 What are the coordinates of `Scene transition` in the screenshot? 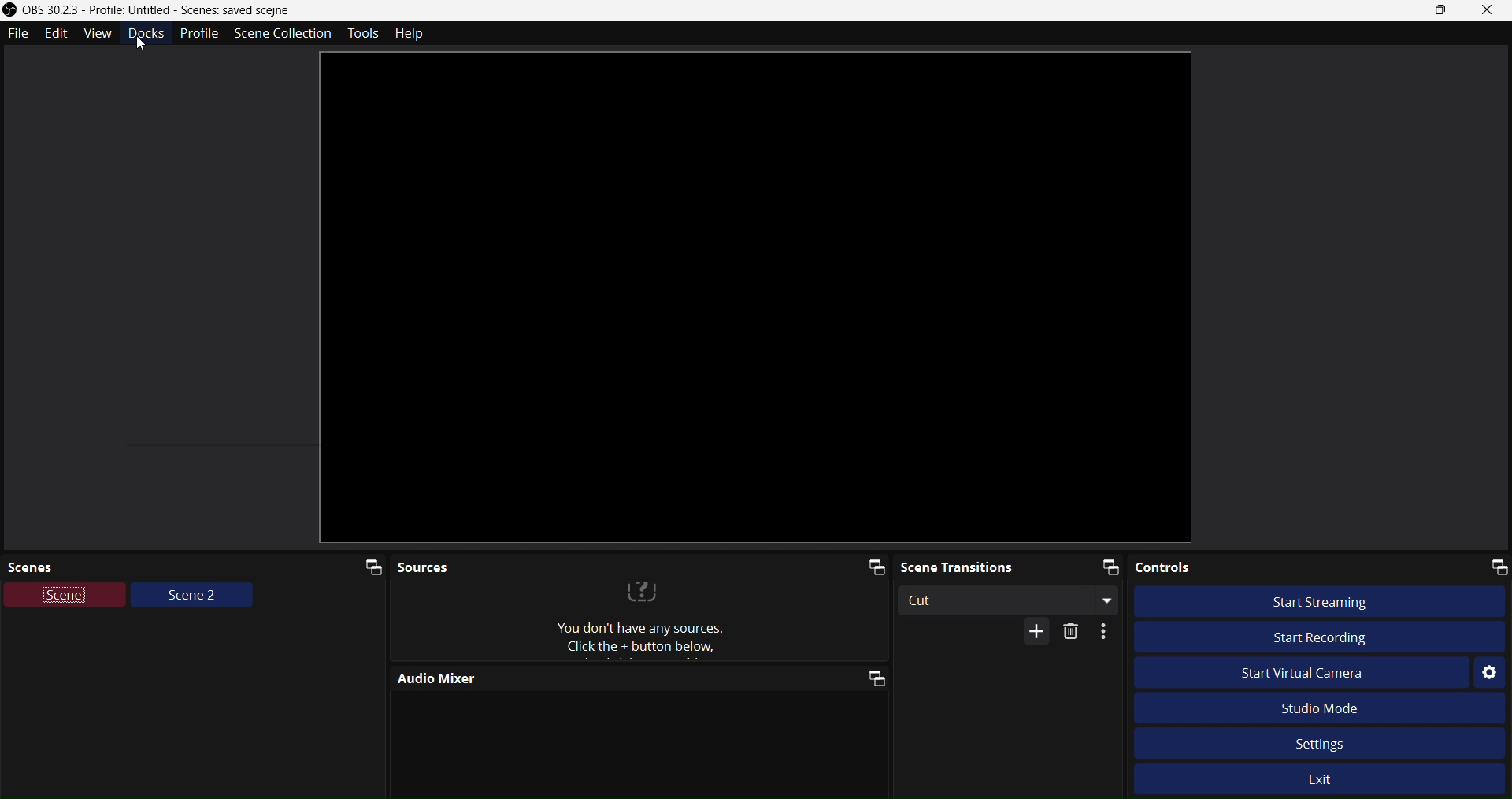 It's located at (981, 565).